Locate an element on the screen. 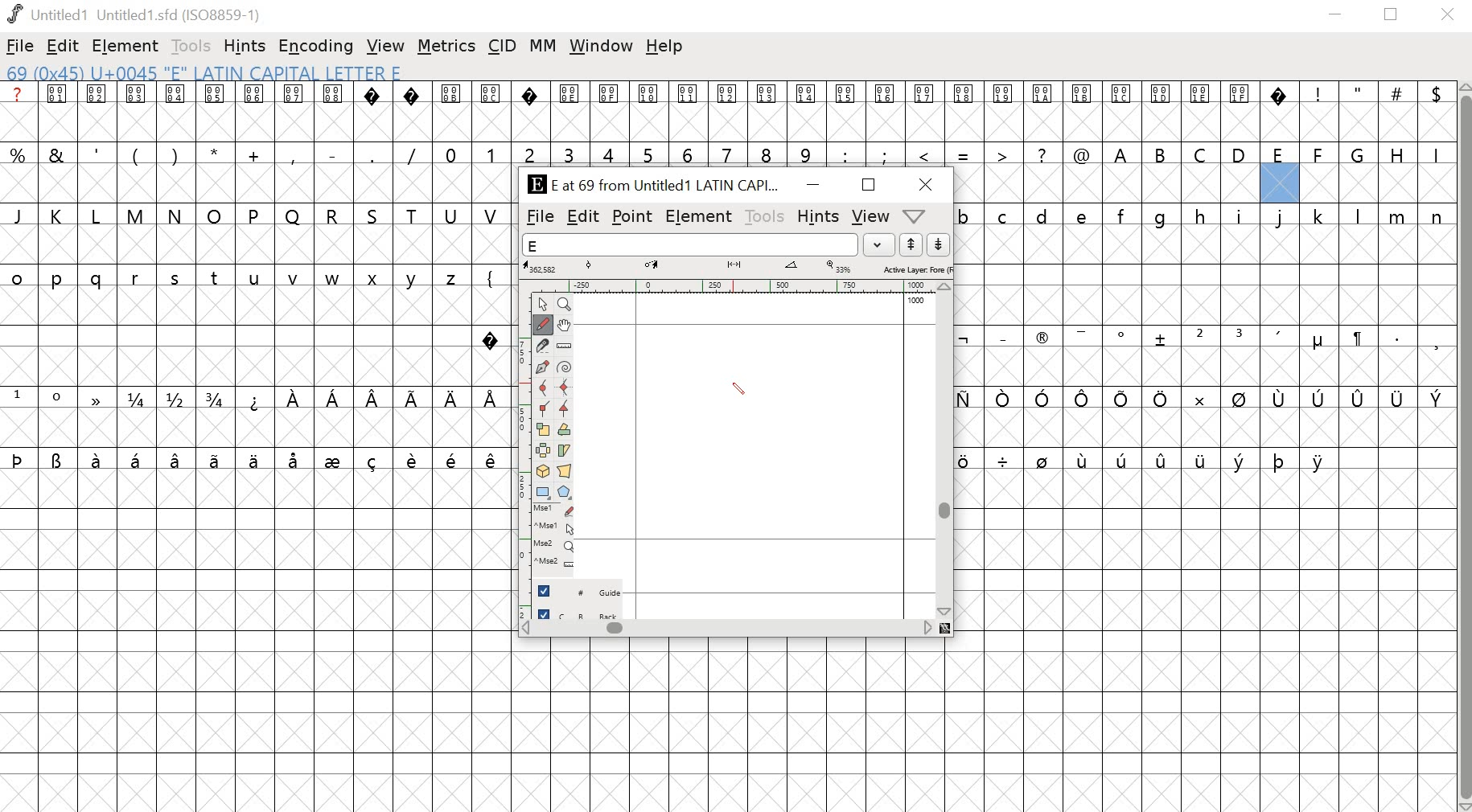  encoding is located at coordinates (316, 47).